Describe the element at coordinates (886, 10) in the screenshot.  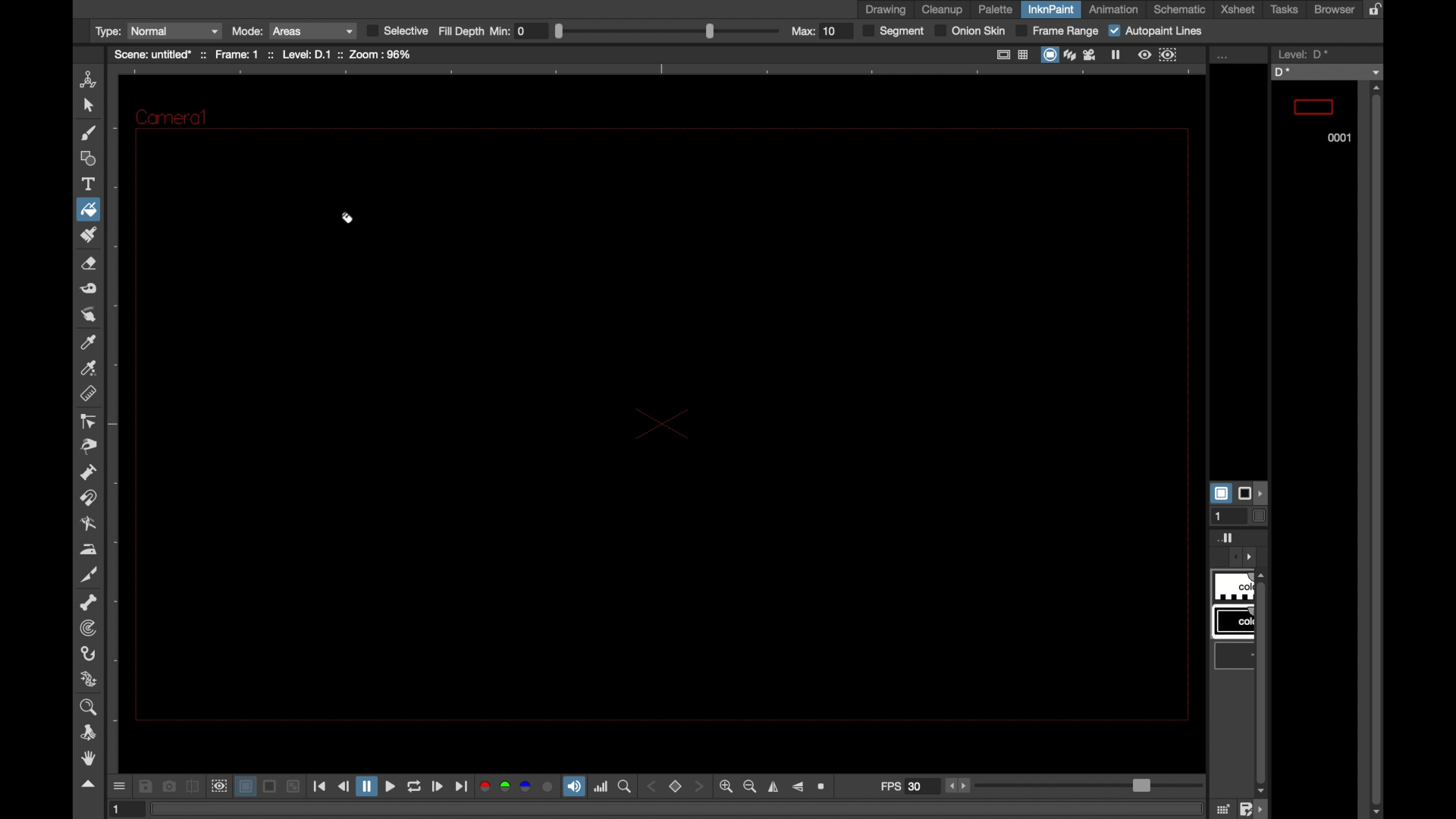
I see `drawing` at that location.